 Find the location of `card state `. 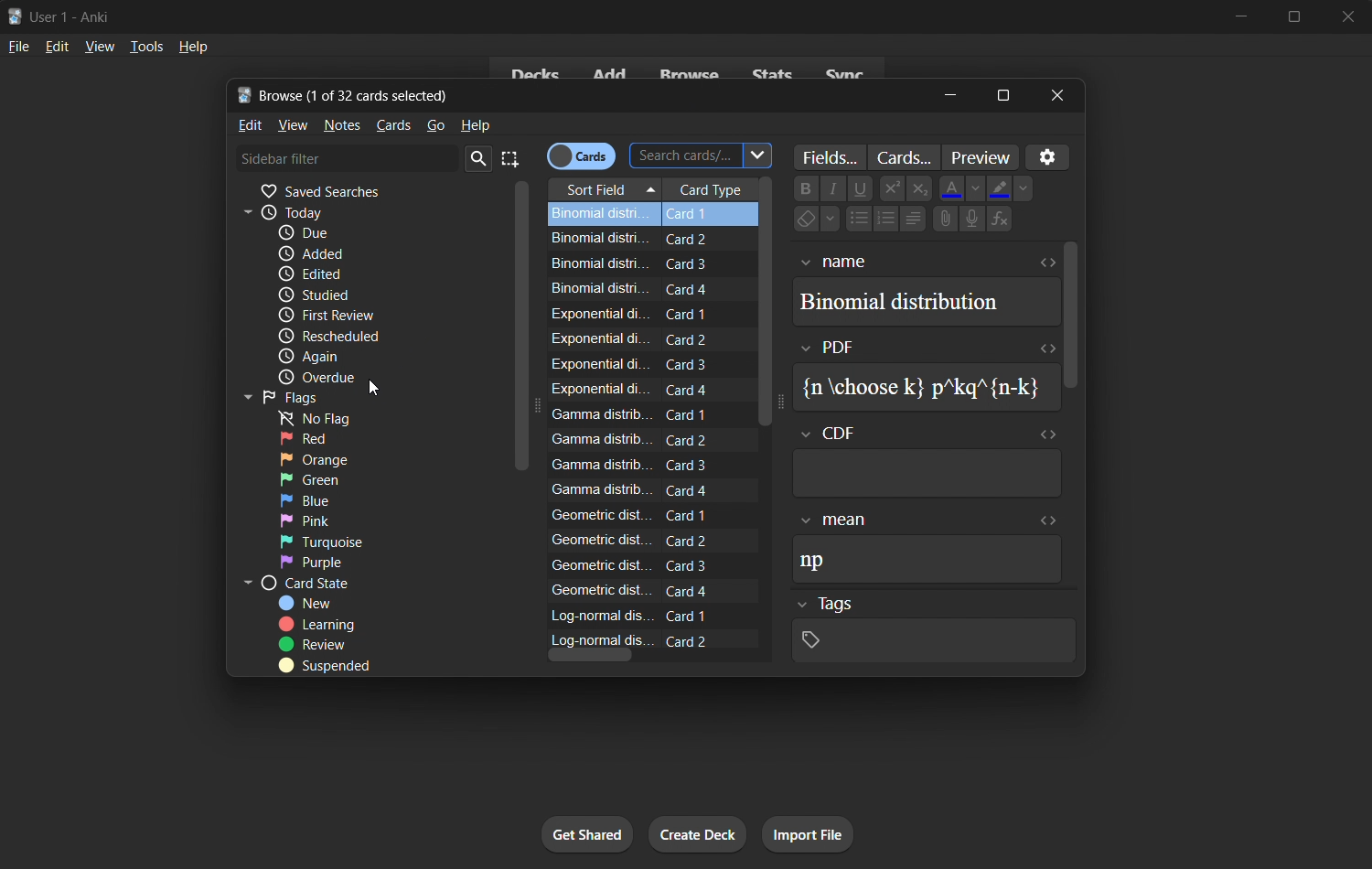

card state  is located at coordinates (360, 583).